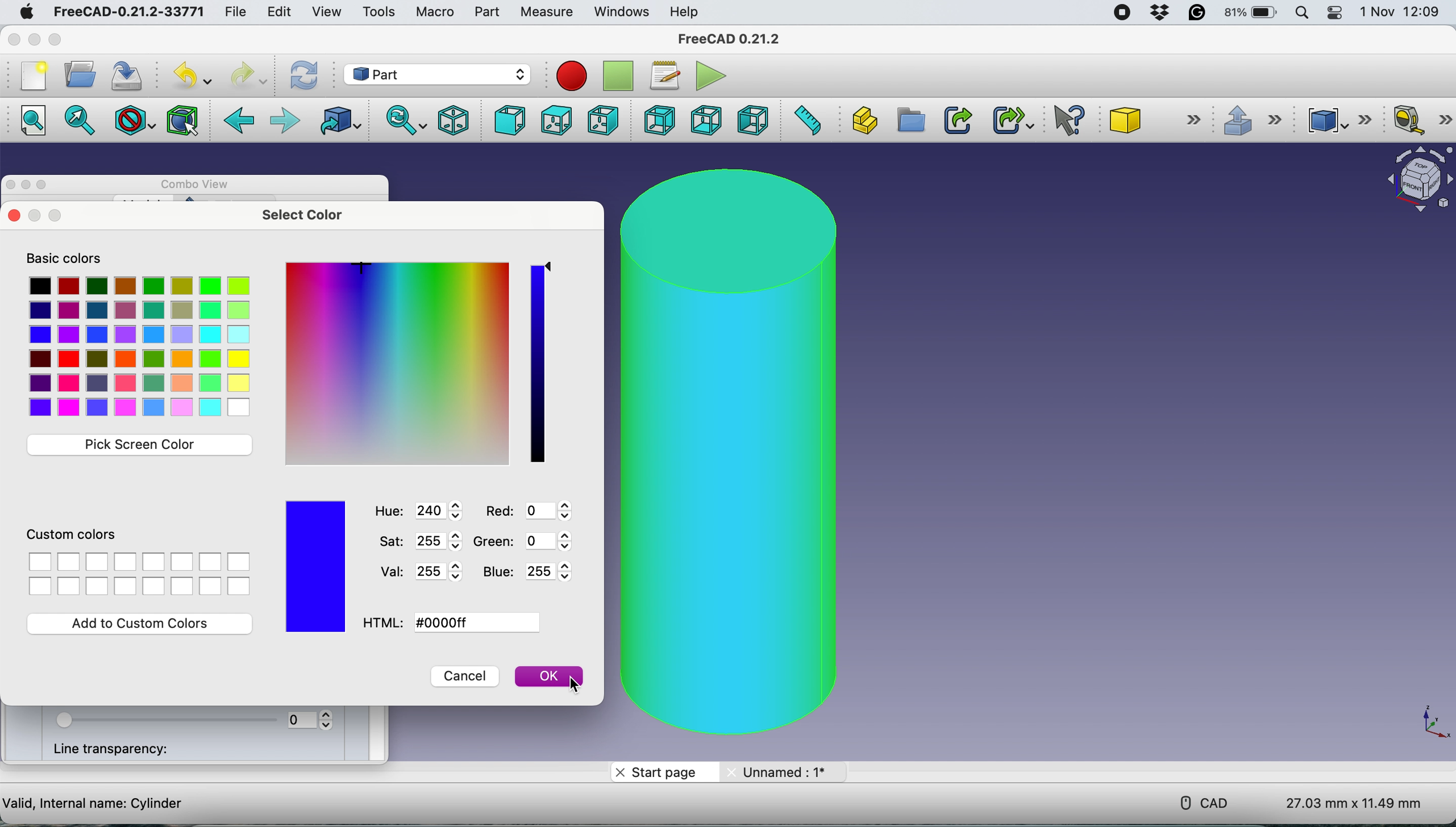 The width and height of the screenshot is (1456, 827). Describe the element at coordinates (414, 571) in the screenshot. I see `val` at that location.